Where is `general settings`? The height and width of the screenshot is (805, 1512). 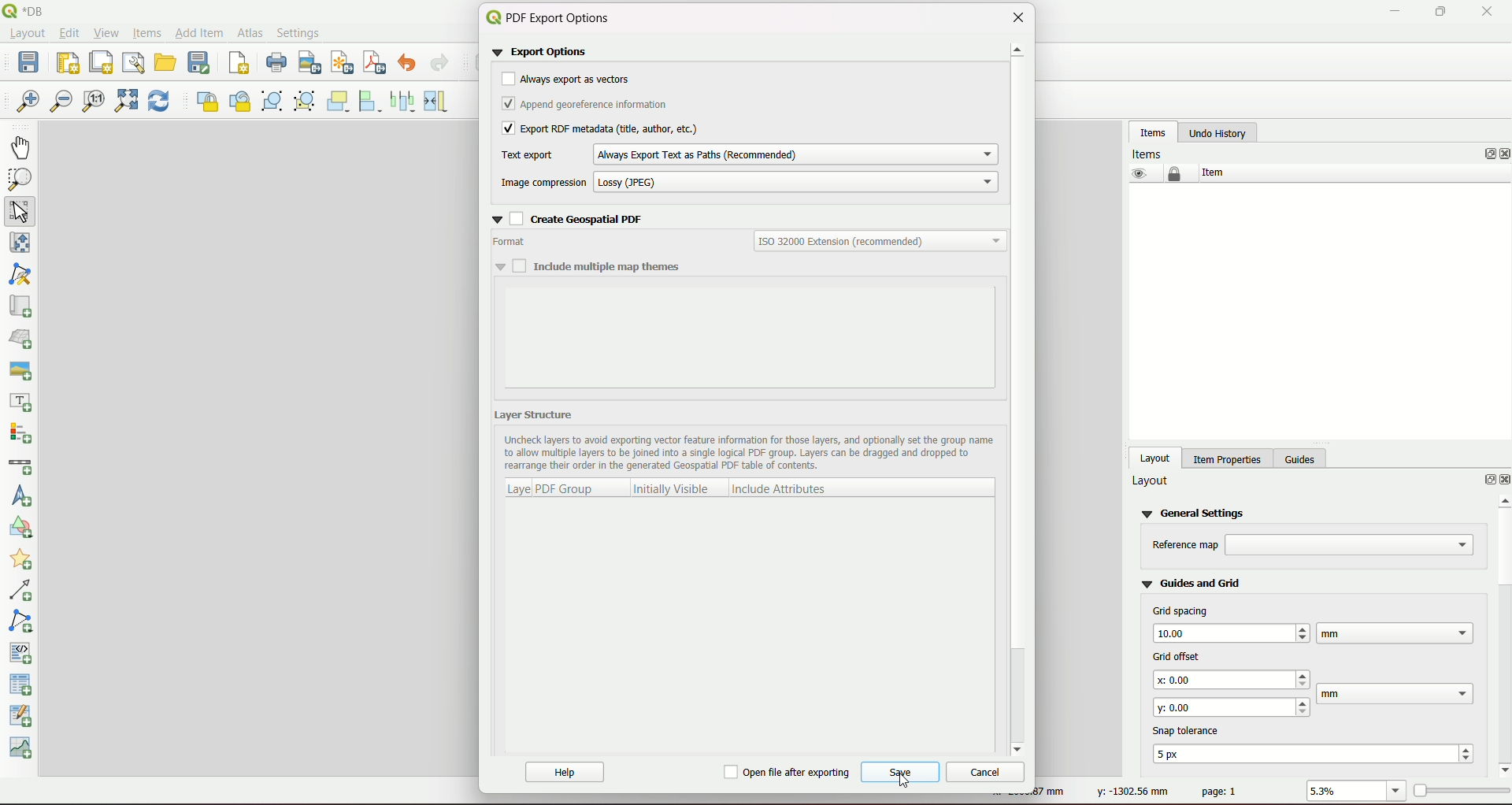 general settings is located at coordinates (1196, 512).